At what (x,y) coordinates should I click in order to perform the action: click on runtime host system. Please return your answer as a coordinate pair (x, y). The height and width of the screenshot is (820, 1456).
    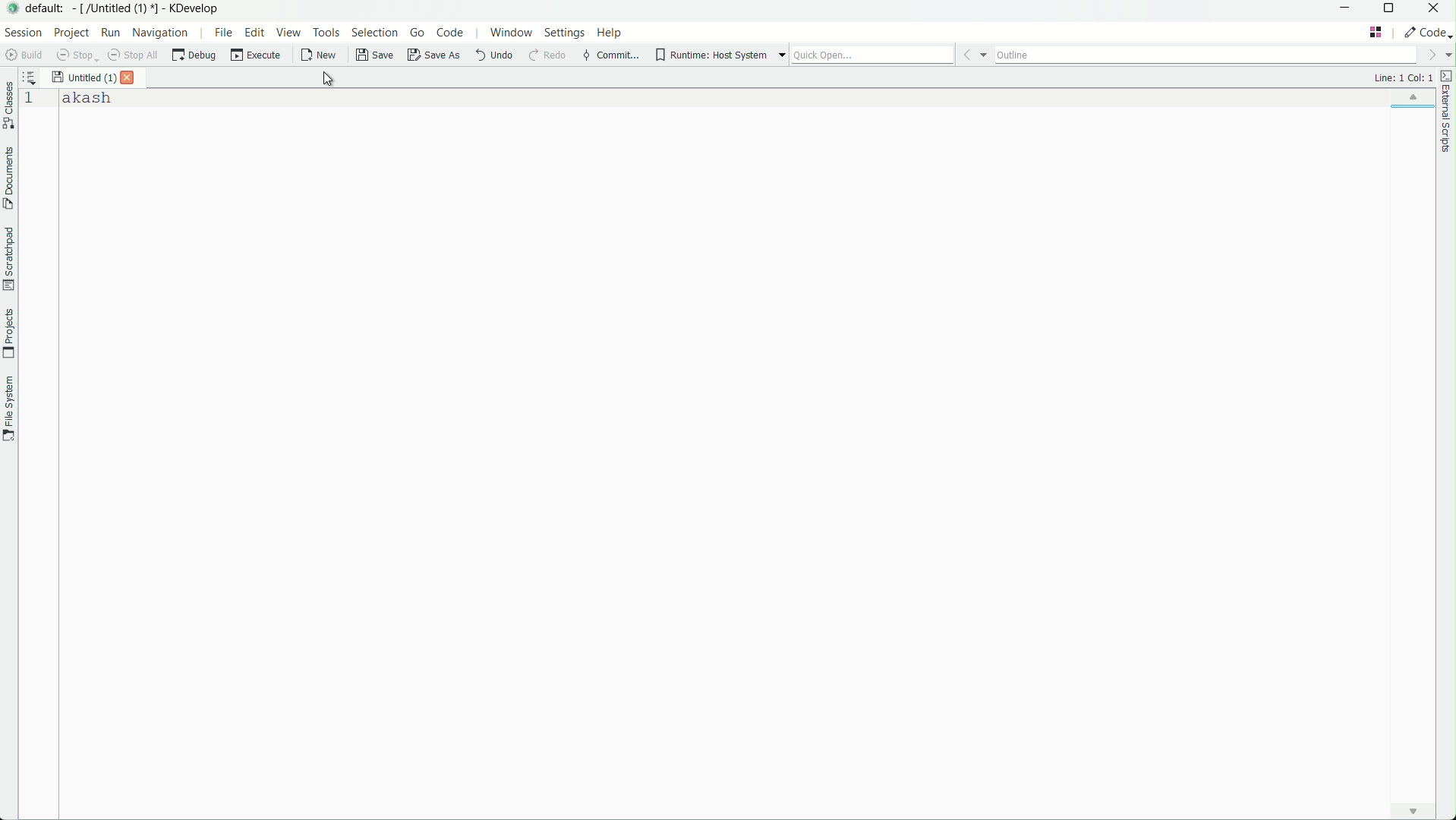
    Looking at the image, I should click on (711, 57).